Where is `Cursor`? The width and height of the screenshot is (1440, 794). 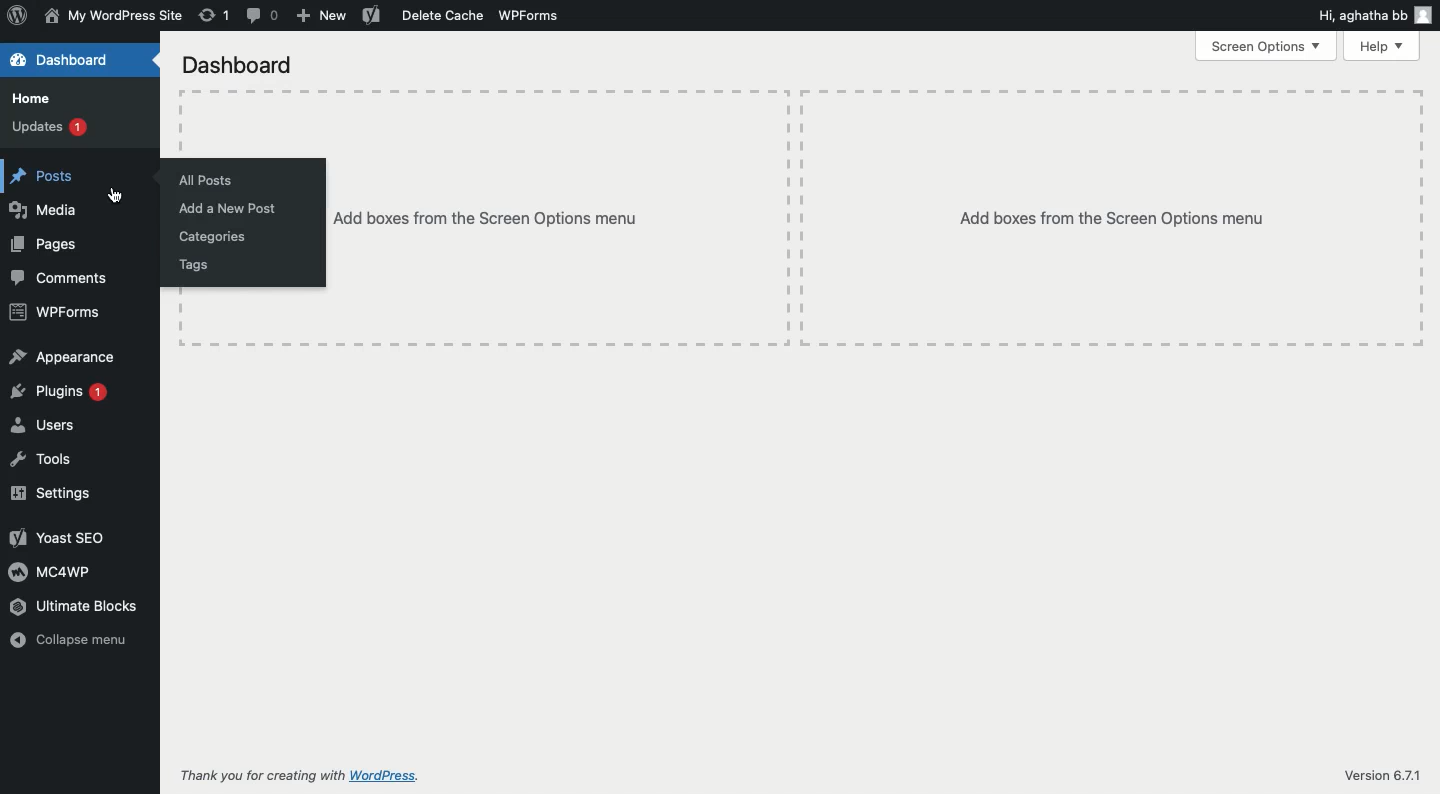 Cursor is located at coordinates (118, 194).